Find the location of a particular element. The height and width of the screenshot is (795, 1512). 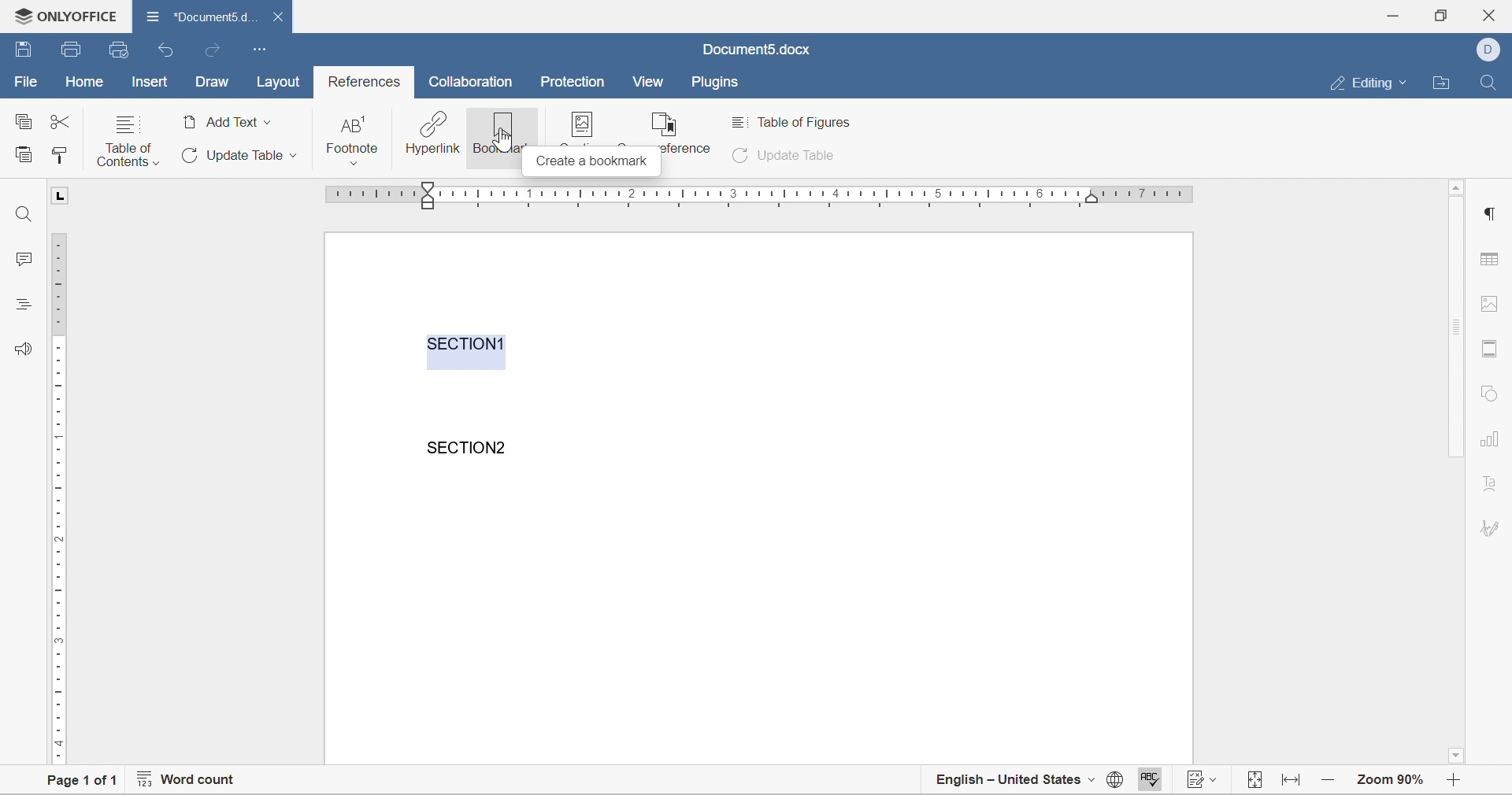

copy style is located at coordinates (59, 154).